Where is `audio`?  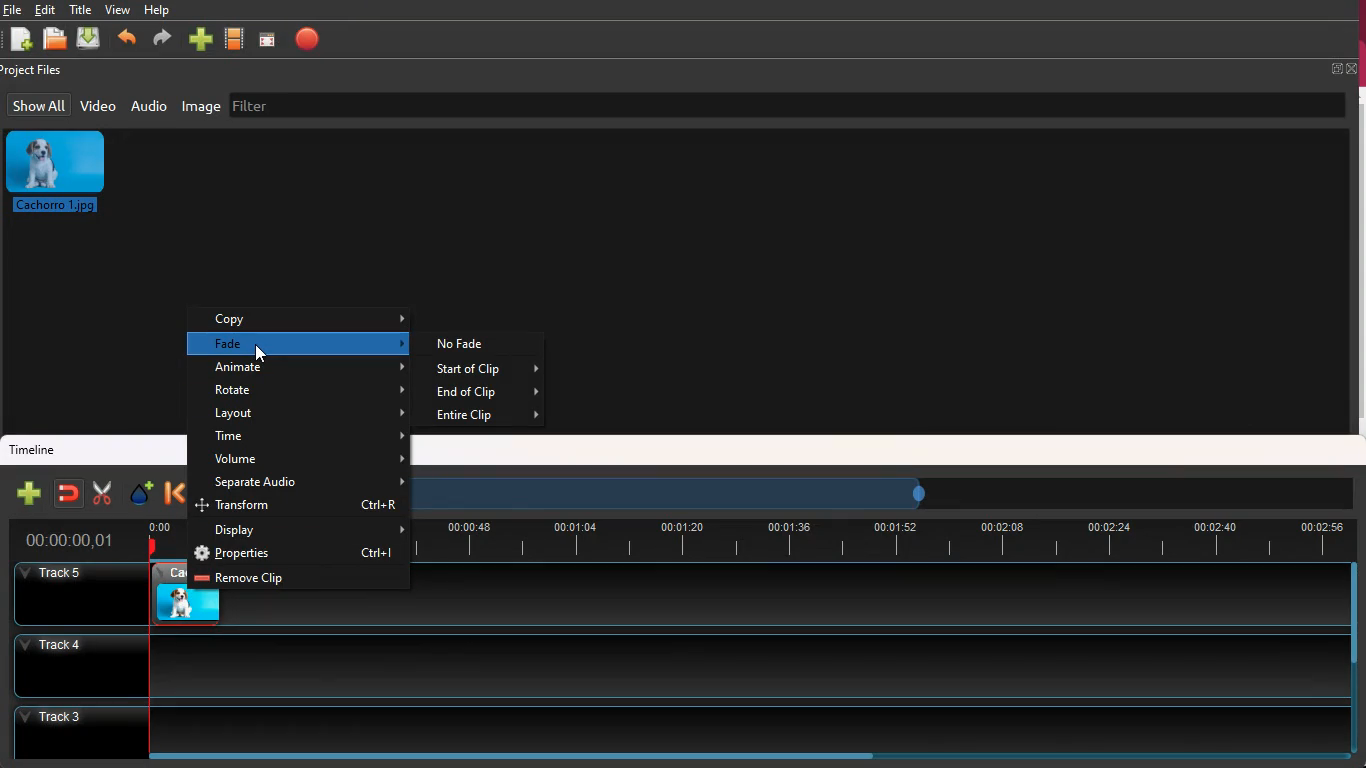 audio is located at coordinates (151, 108).